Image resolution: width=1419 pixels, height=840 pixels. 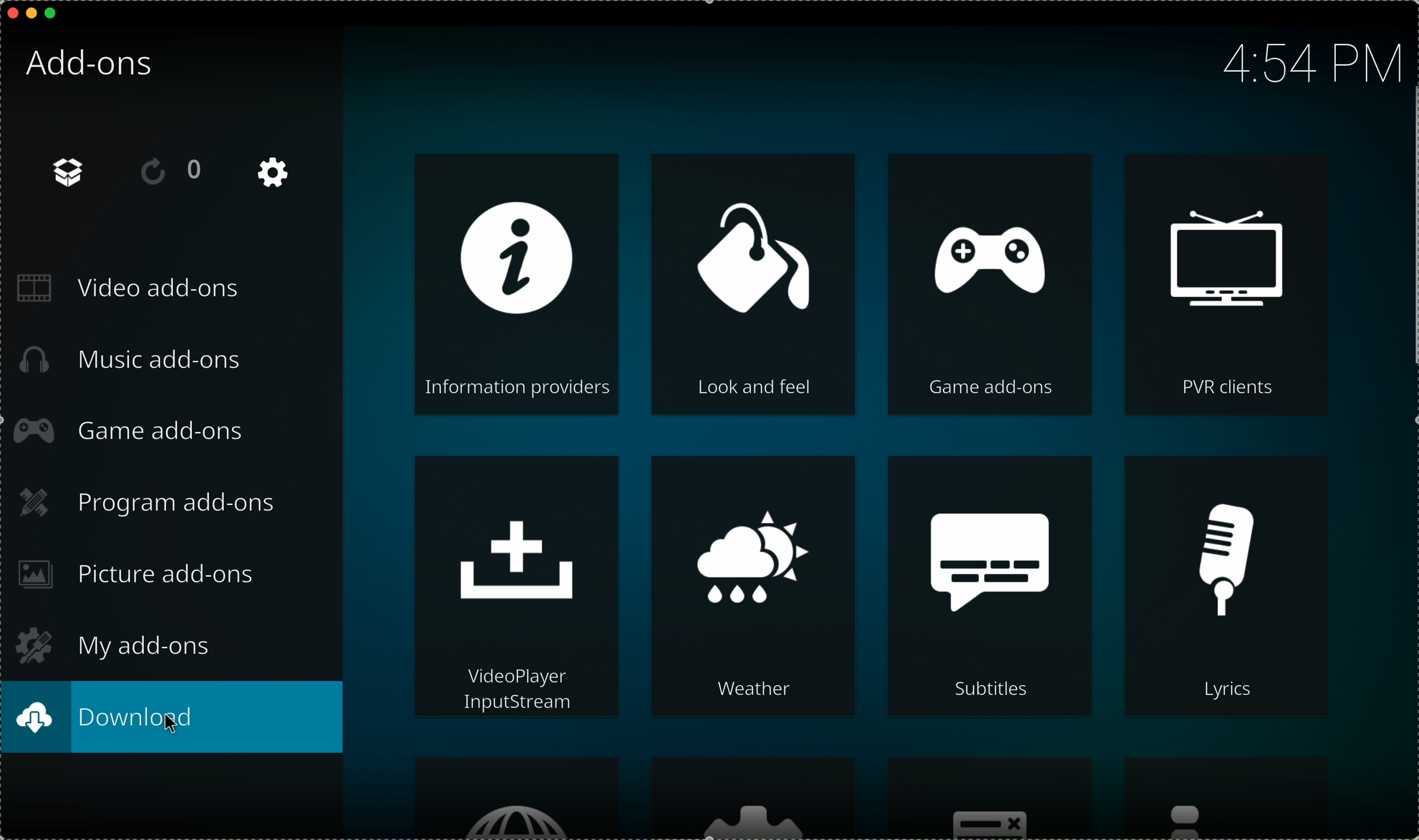 I want to click on game add-ons, so click(x=136, y=432).